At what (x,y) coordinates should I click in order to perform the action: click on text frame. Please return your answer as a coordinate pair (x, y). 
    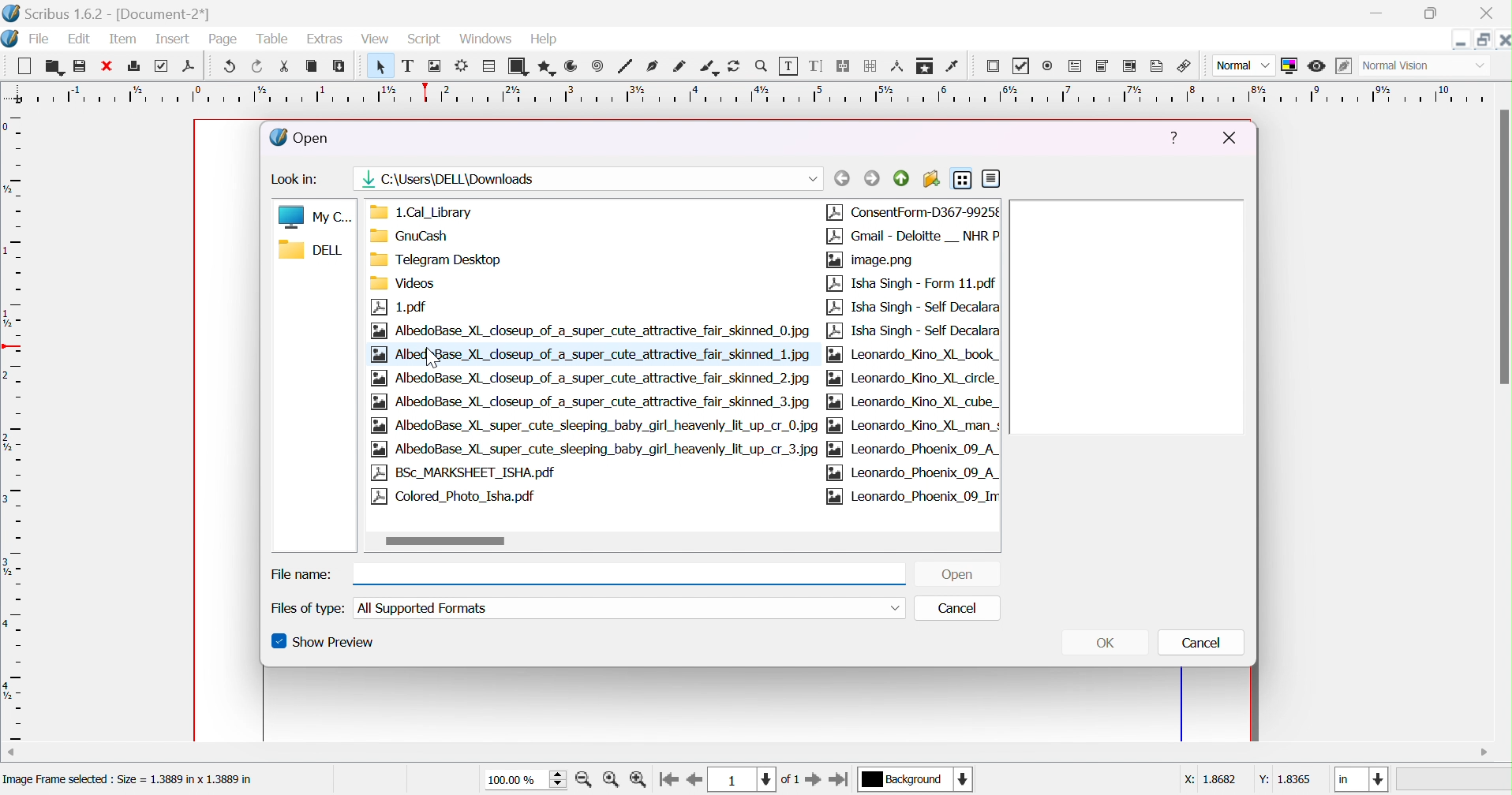
    Looking at the image, I should click on (407, 66).